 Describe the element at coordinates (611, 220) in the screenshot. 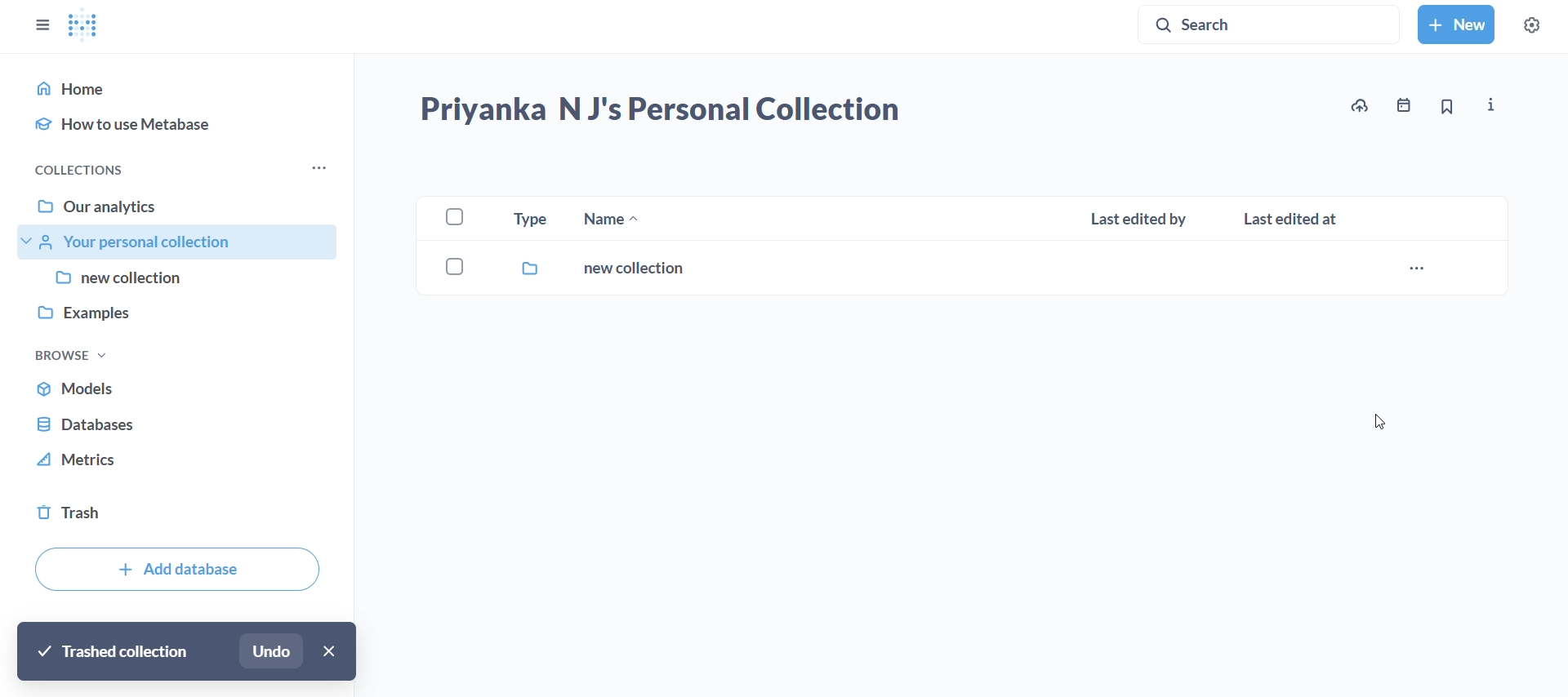

I see `name` at that location.